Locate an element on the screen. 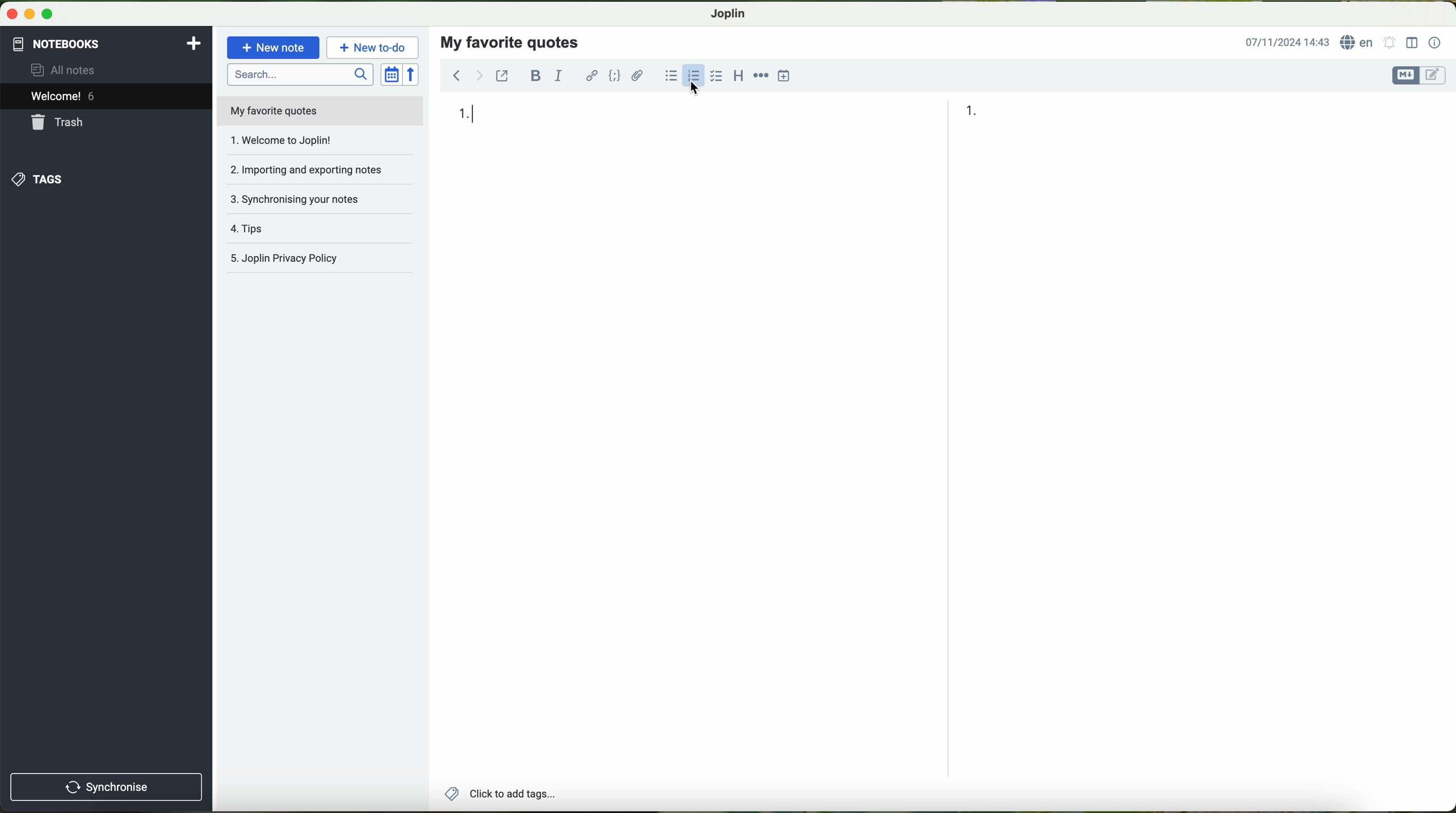 The image size is (1456, 813). italic is located at coordinates (561, 76).